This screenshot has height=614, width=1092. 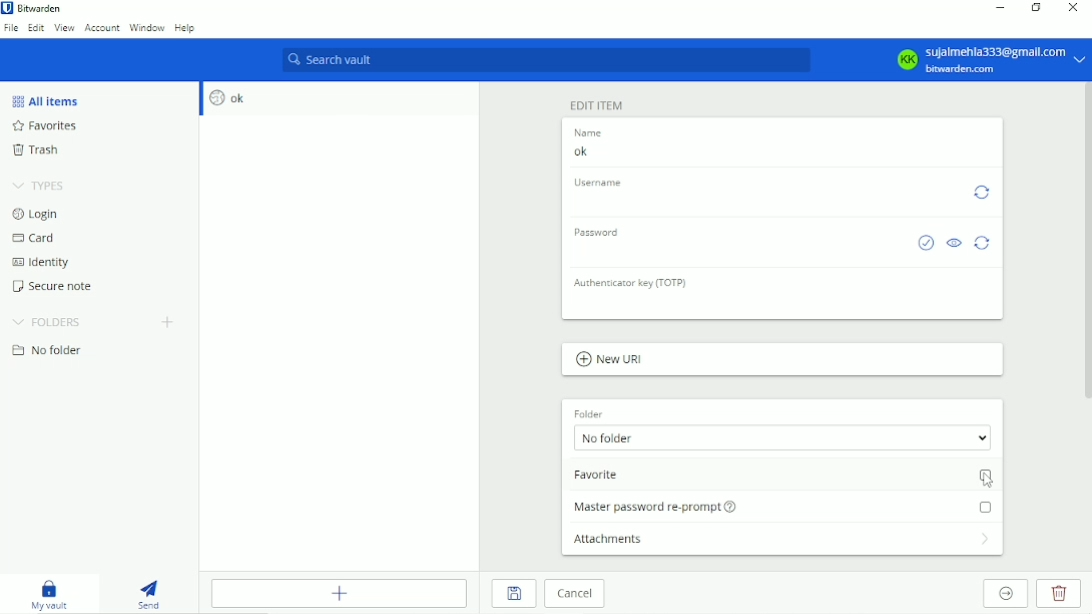 I want to click on Authenticator key (TOTP), so click(x=635, y=284).